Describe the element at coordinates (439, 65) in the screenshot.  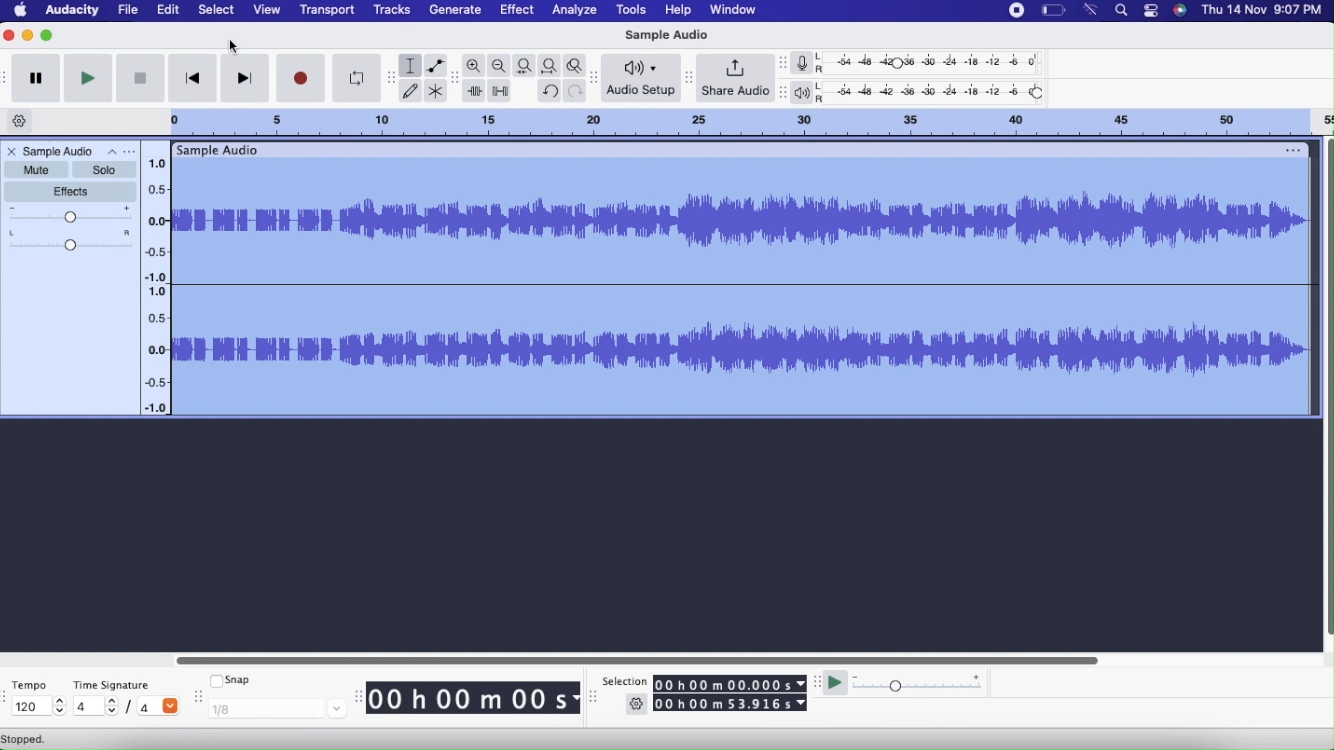
I see `Envelope tool` at that location.